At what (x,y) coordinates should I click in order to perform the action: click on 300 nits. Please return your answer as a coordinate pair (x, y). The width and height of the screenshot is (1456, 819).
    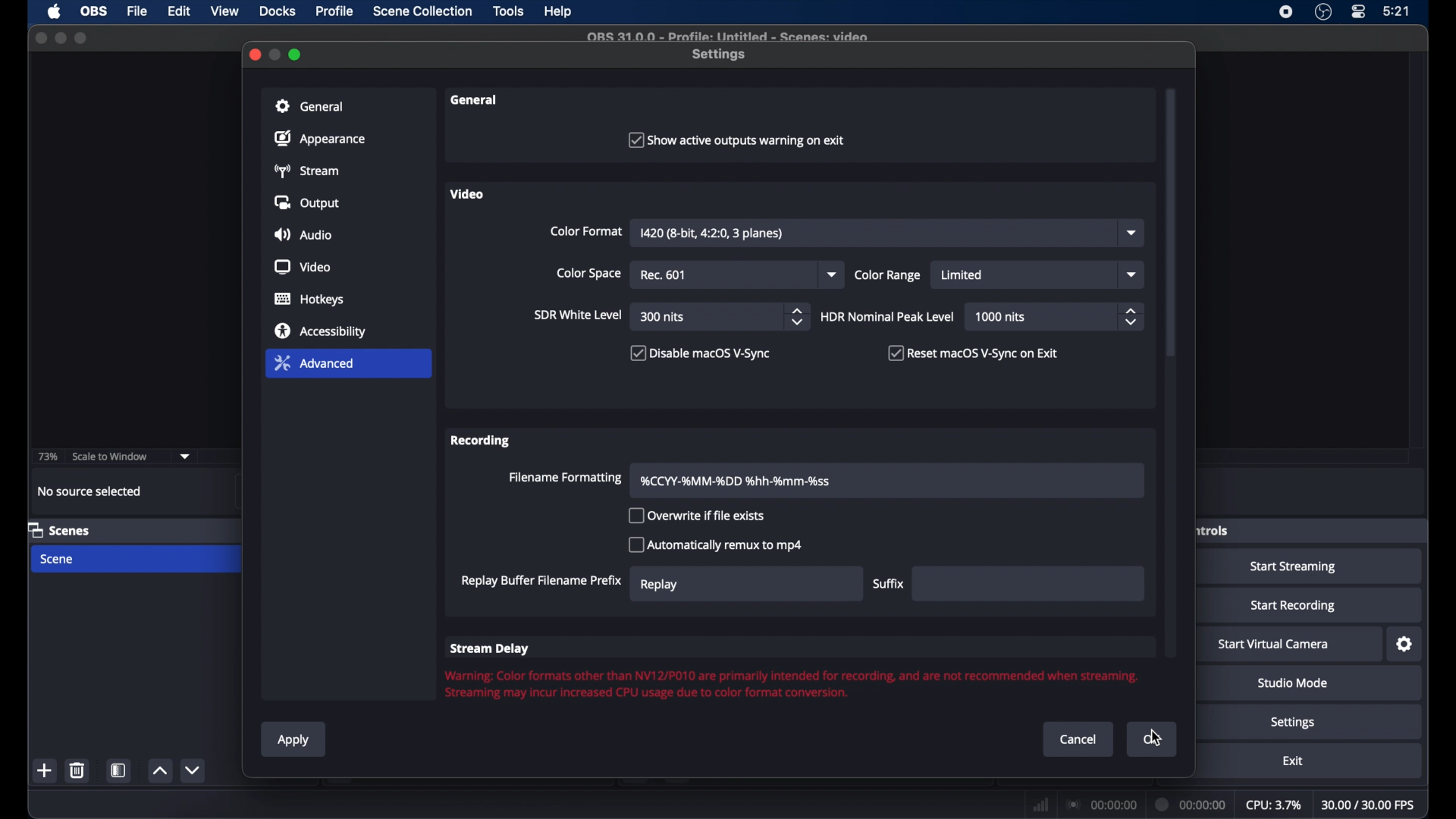
    Looking at the image, I should click on (664, 317).